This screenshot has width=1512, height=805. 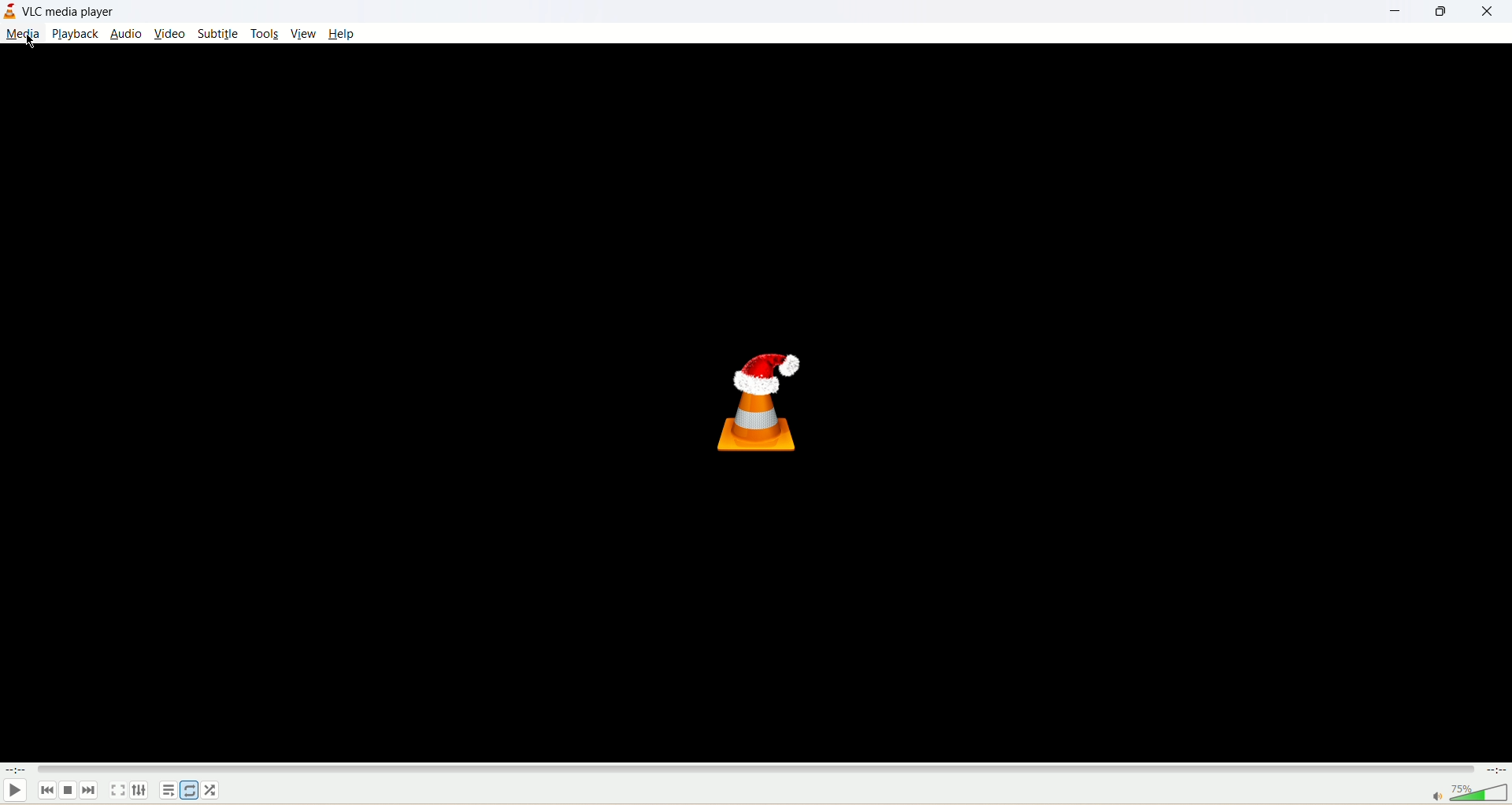 I want to click on VLC MEDIA PLAYER logo, so click(x=761, y=403).